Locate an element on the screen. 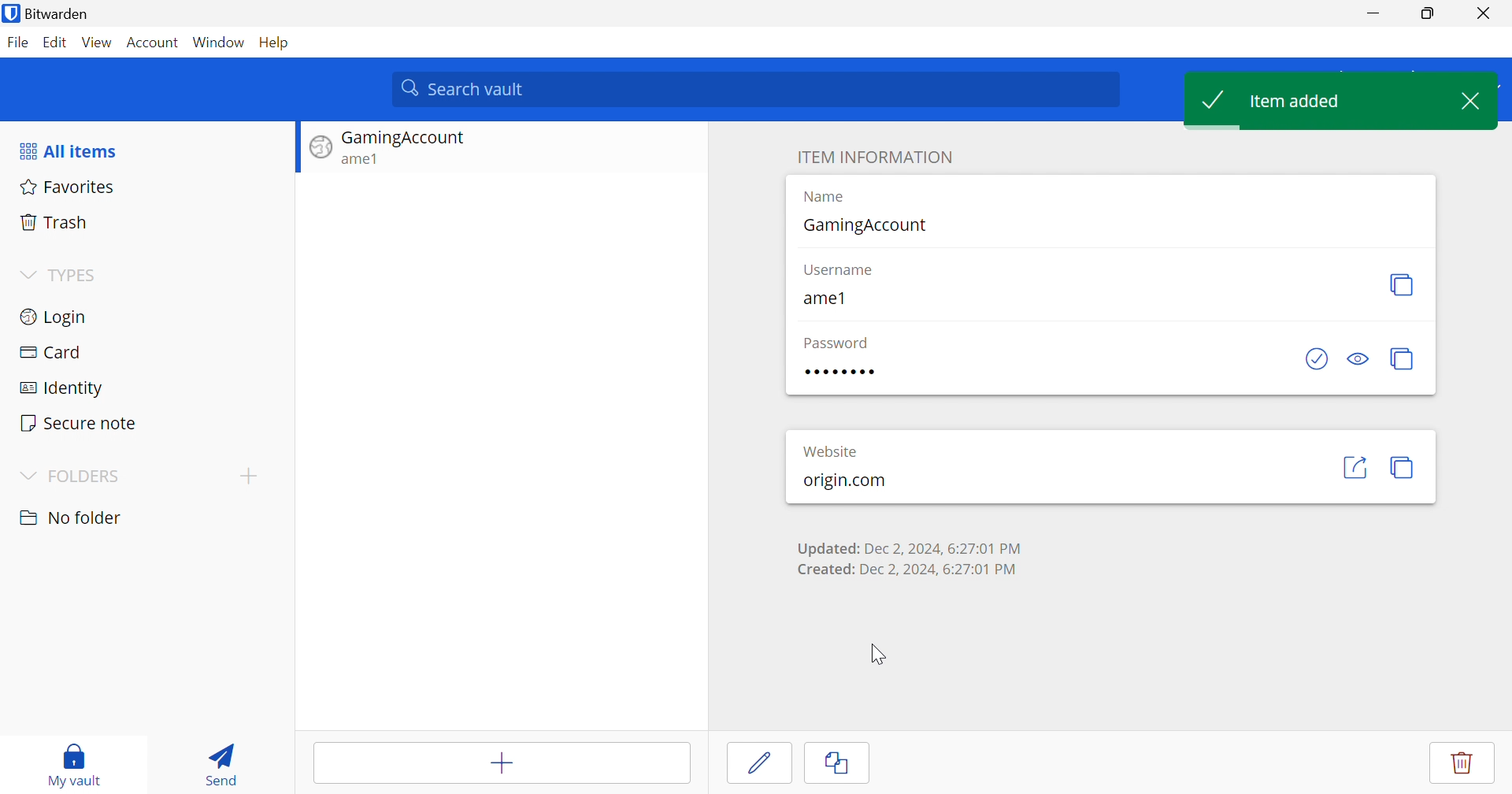 The height and width of the screenshot is (794, 1512). Login is located at coordinates (55, 317).